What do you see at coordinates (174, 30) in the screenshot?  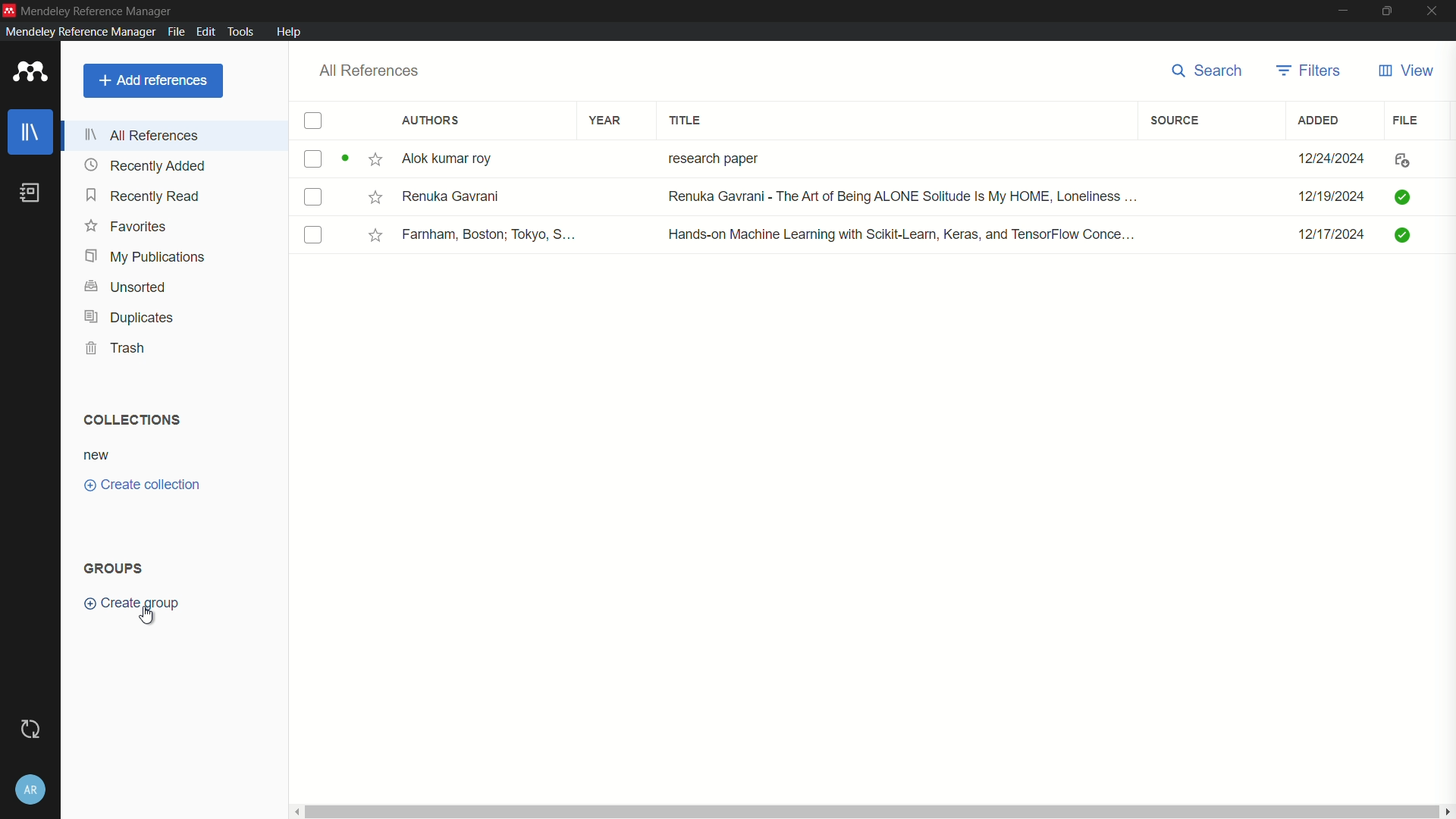 I see `file menu` at bounding box center [174, 30].